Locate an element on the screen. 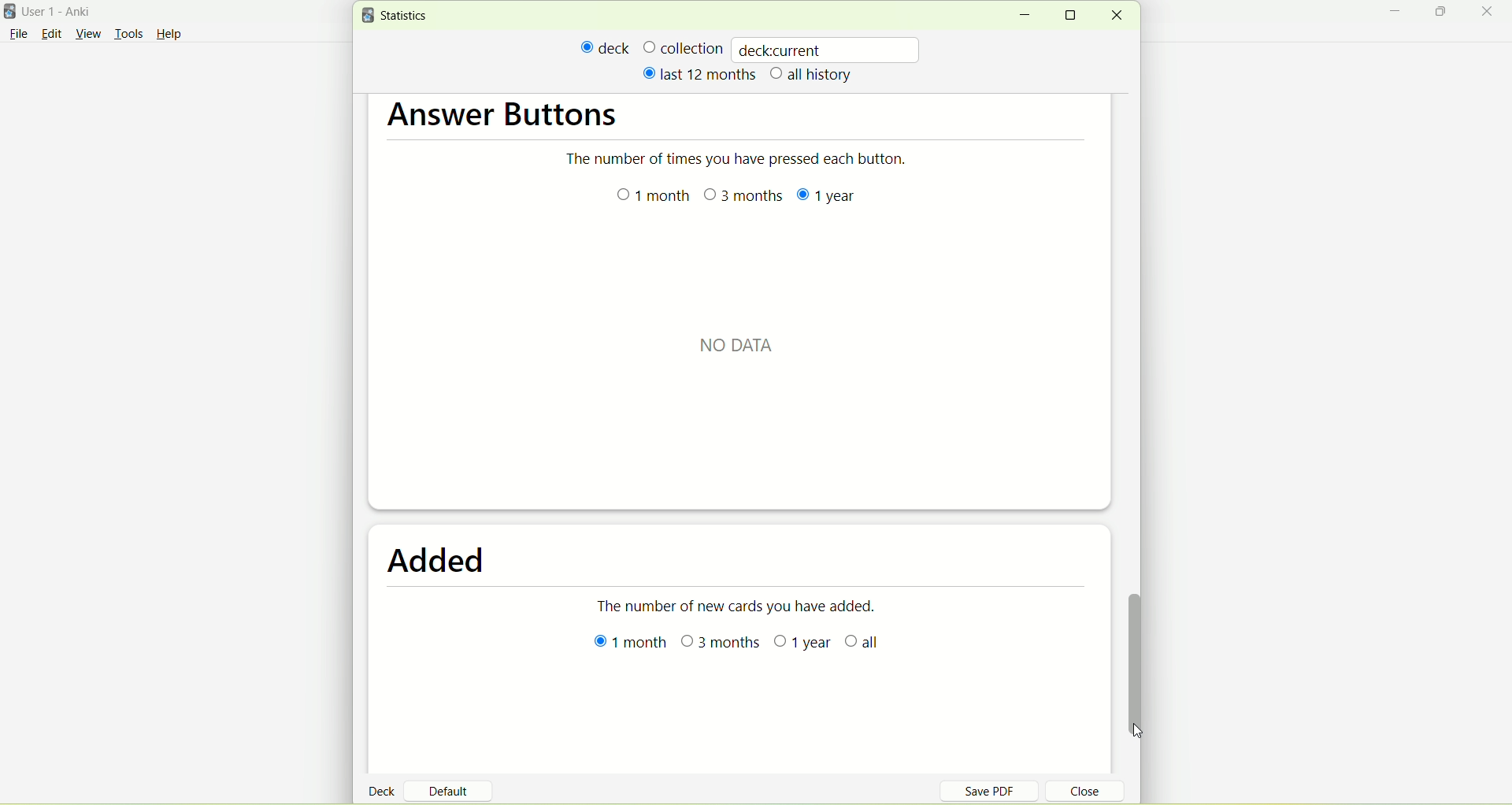 This screenshot has height=805, width=1512. statistics is located at coordinates (398, 16).